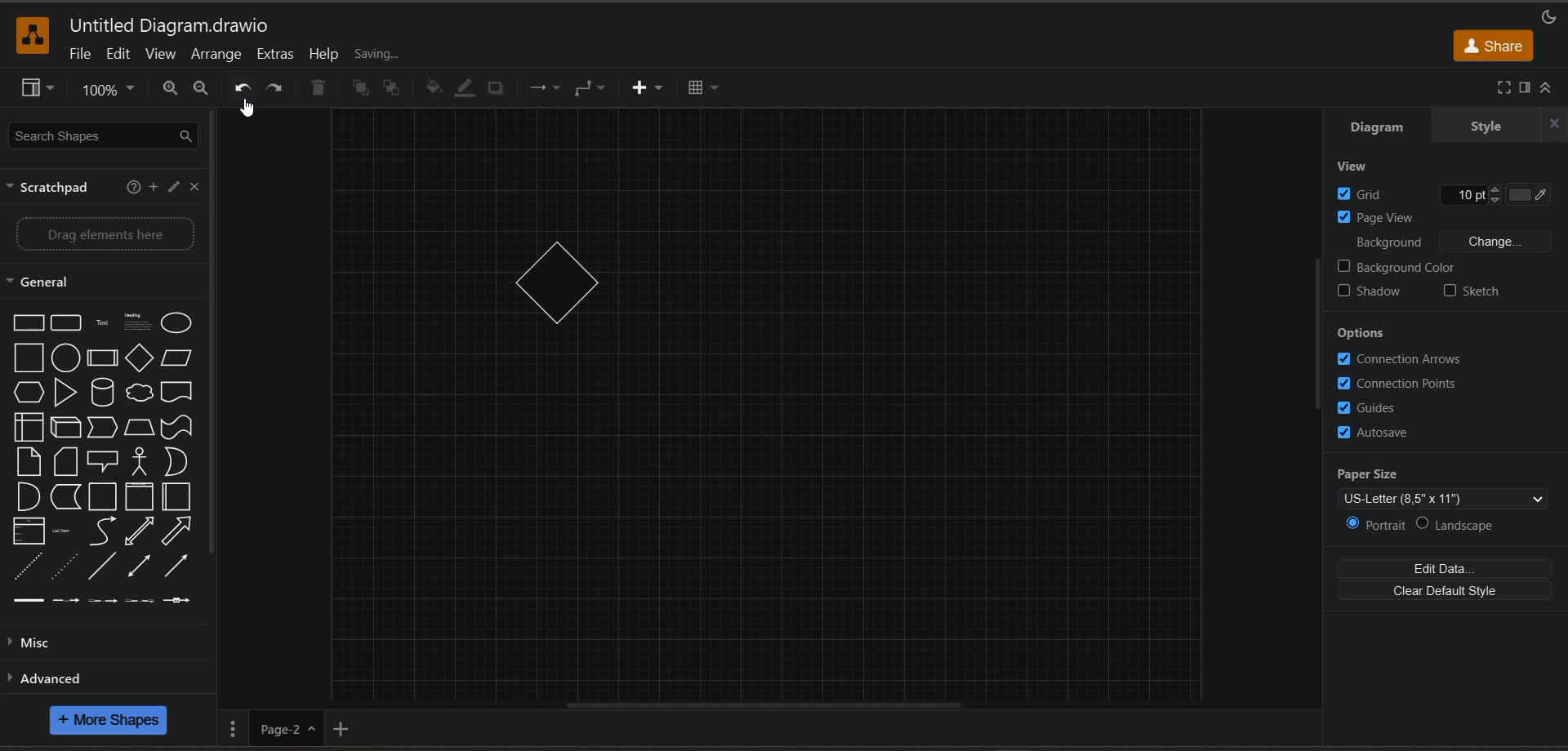 This screenshot has height=751, width=1568. I want to click on Triangle, so click(65, 393).